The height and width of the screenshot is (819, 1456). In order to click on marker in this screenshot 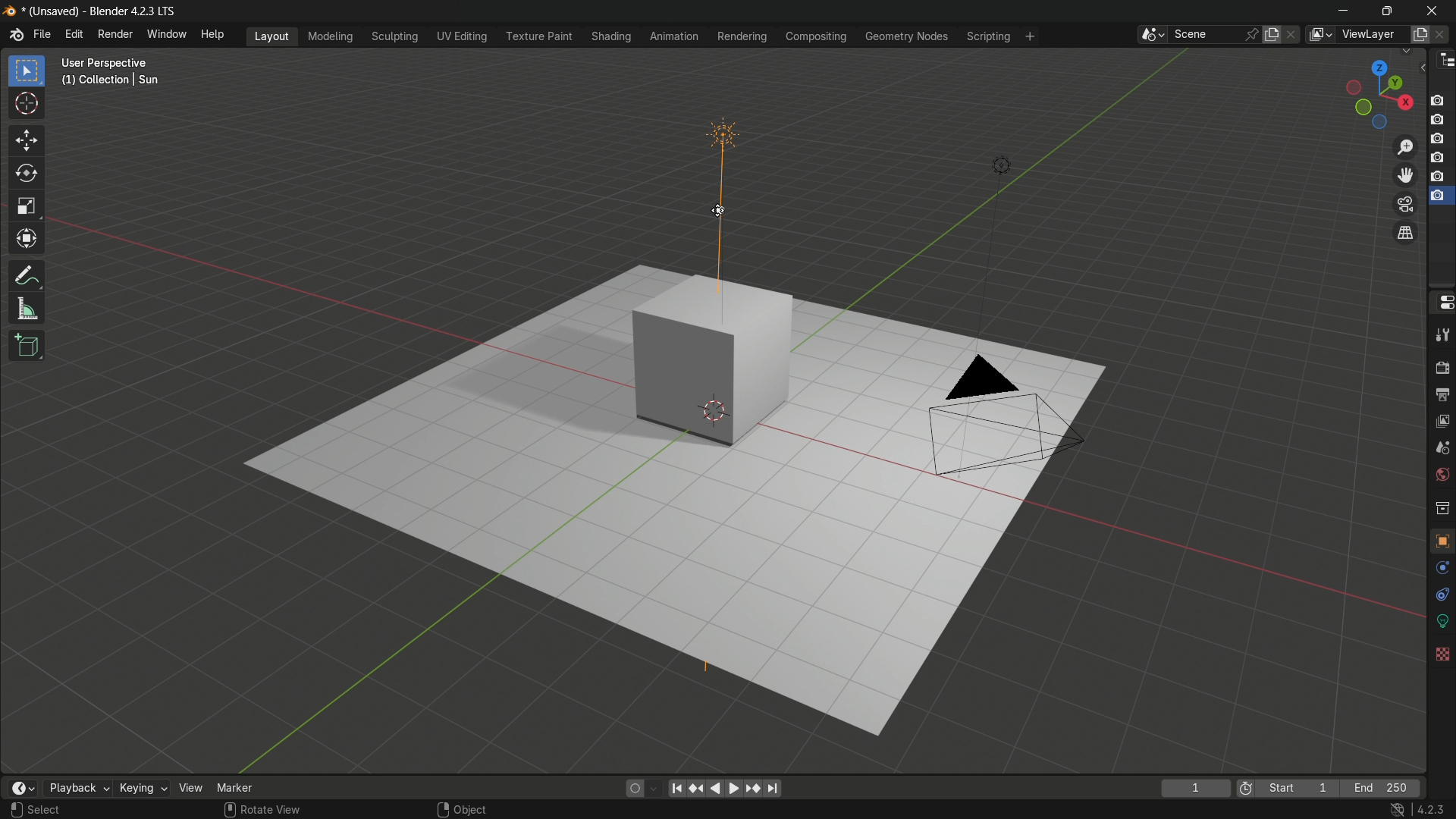, I will do `click(239, 787)`.